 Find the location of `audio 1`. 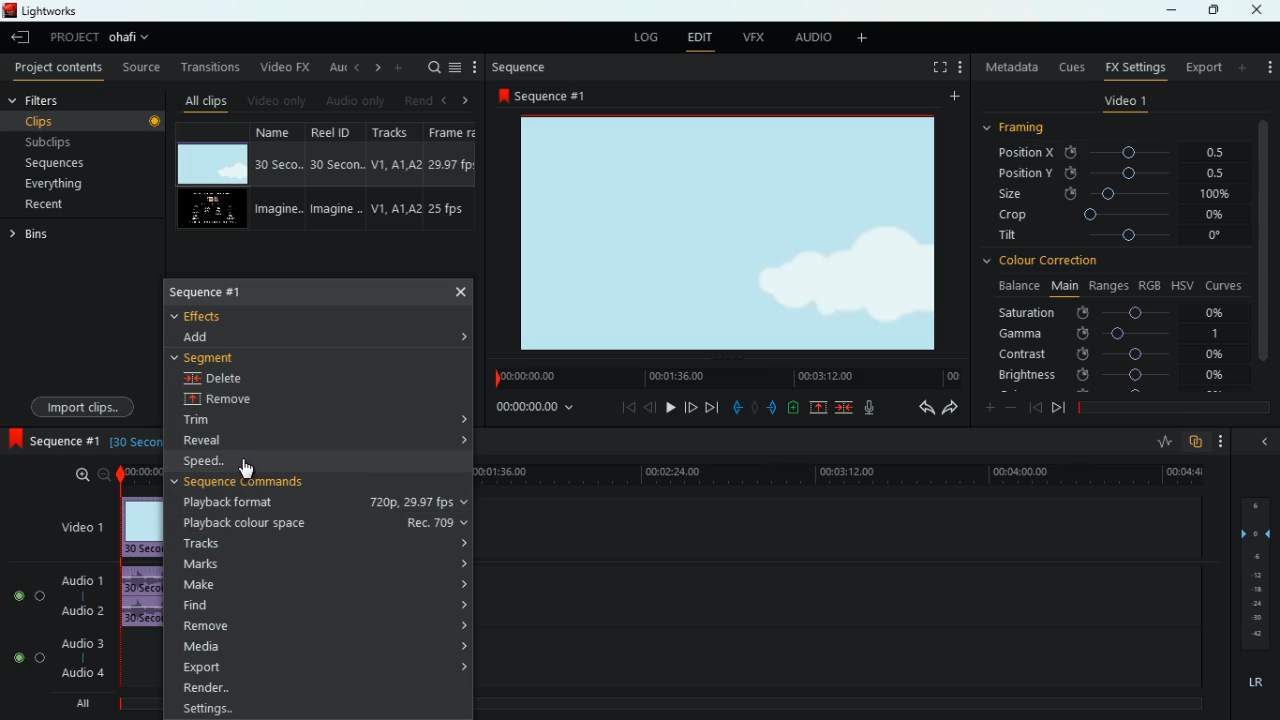

audio 1 is located at coordinates (84, 580).